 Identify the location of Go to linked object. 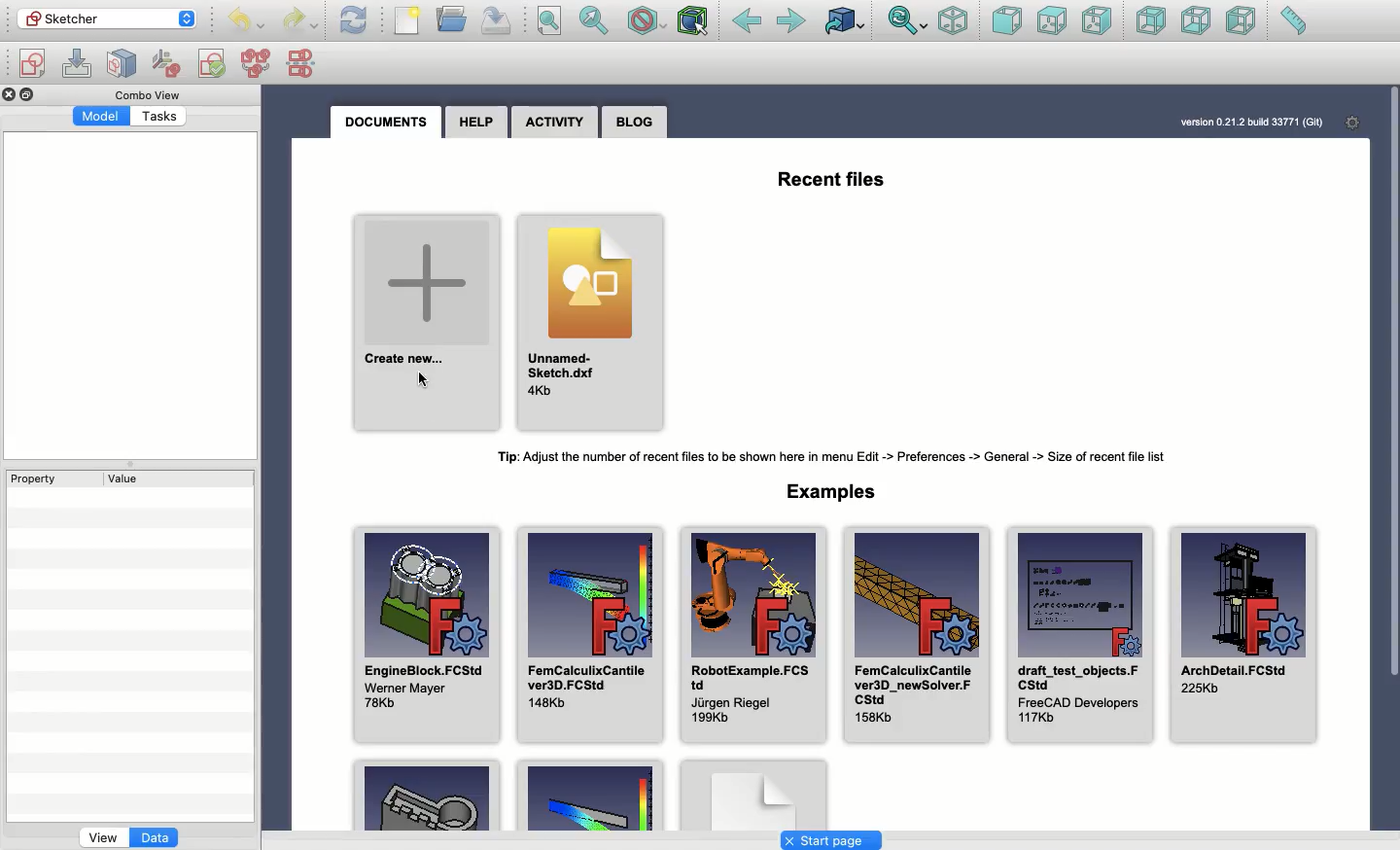
(848, 22).